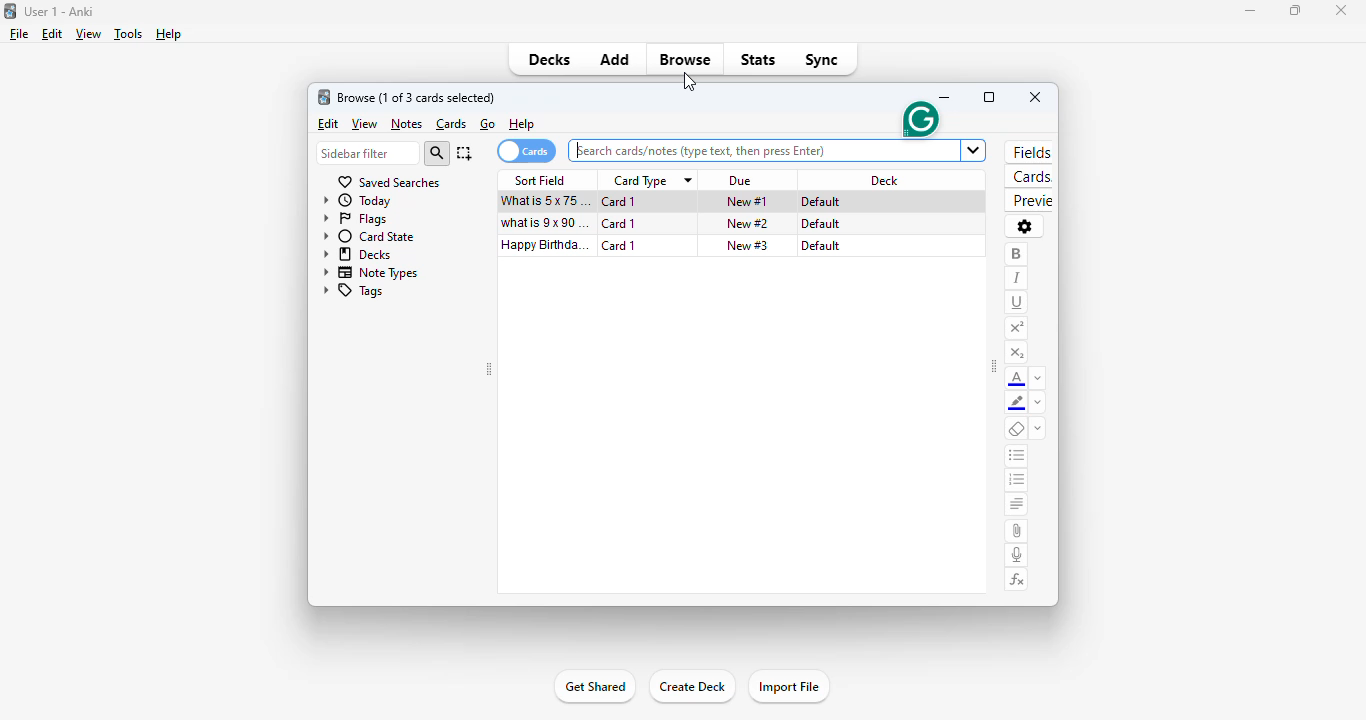 The image size is (1366, 720). I want to click on edit, so click(330, 124).